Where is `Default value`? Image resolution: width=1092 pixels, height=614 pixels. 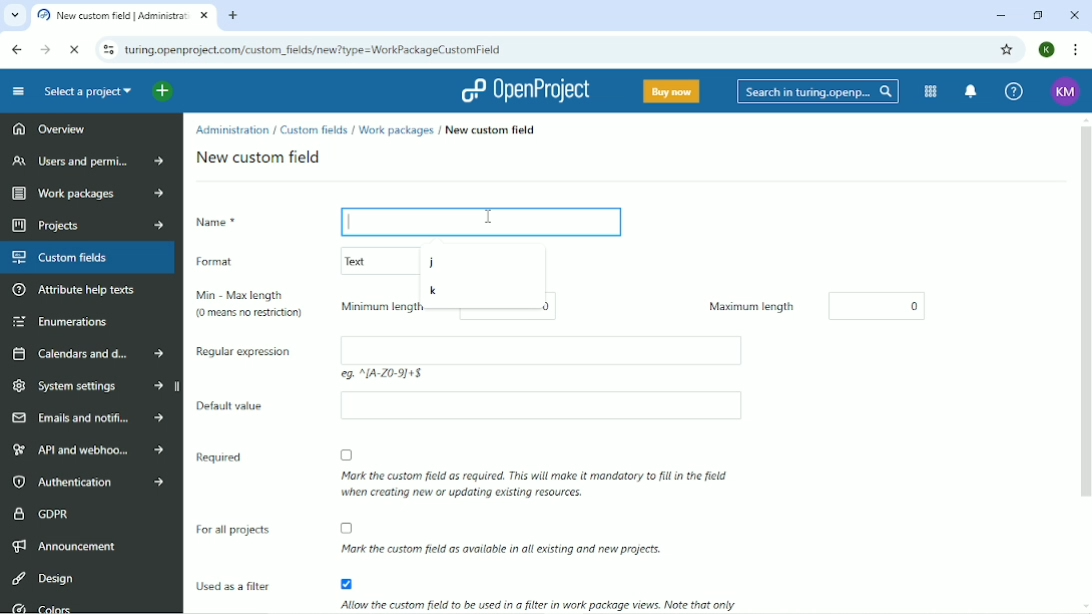
Default value is located at coordinates (243, 412).